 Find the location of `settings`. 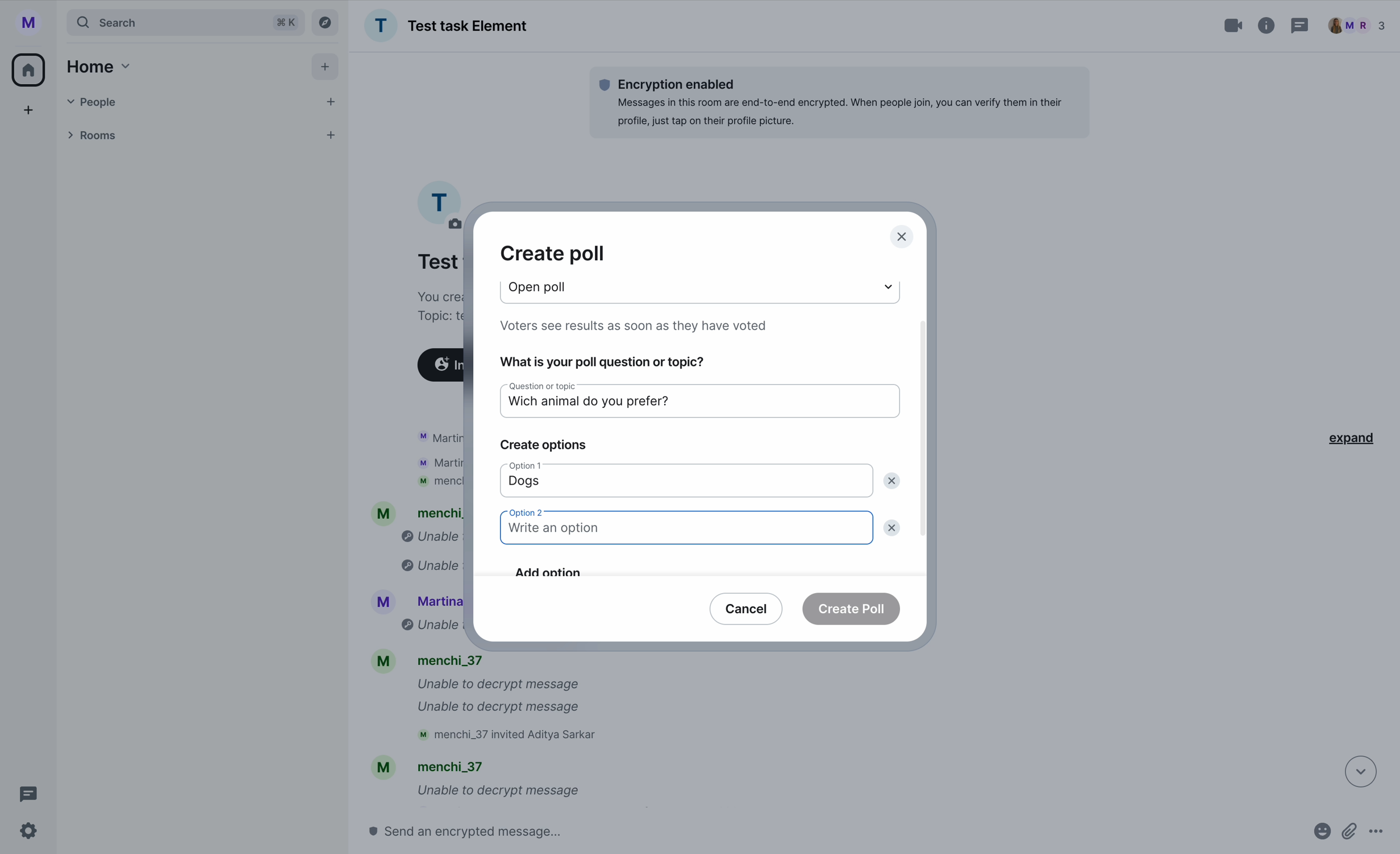

settings is located at coordinates (30, 832).